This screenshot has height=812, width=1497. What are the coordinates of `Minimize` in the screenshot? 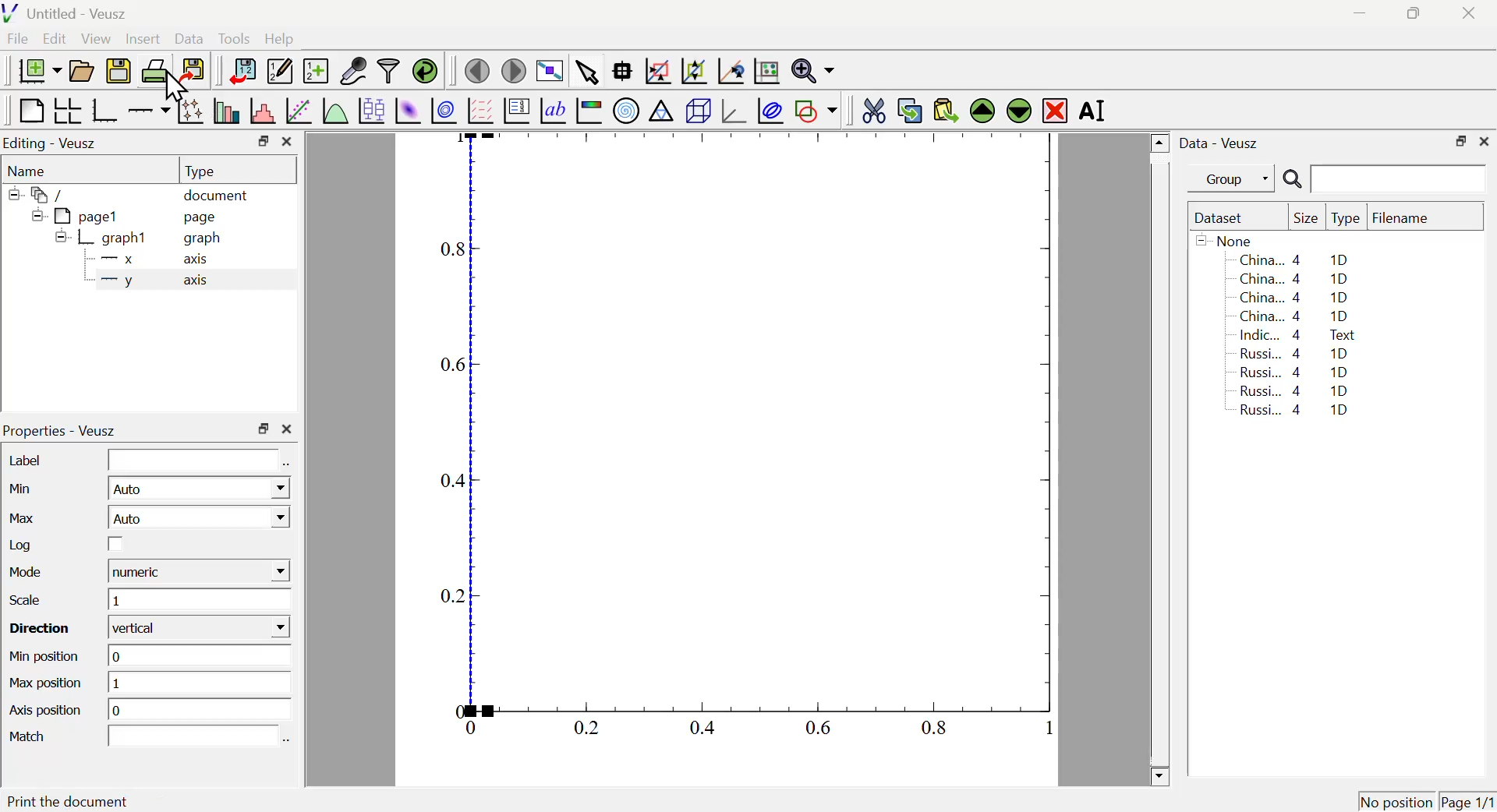 It's located at (1360, 14).